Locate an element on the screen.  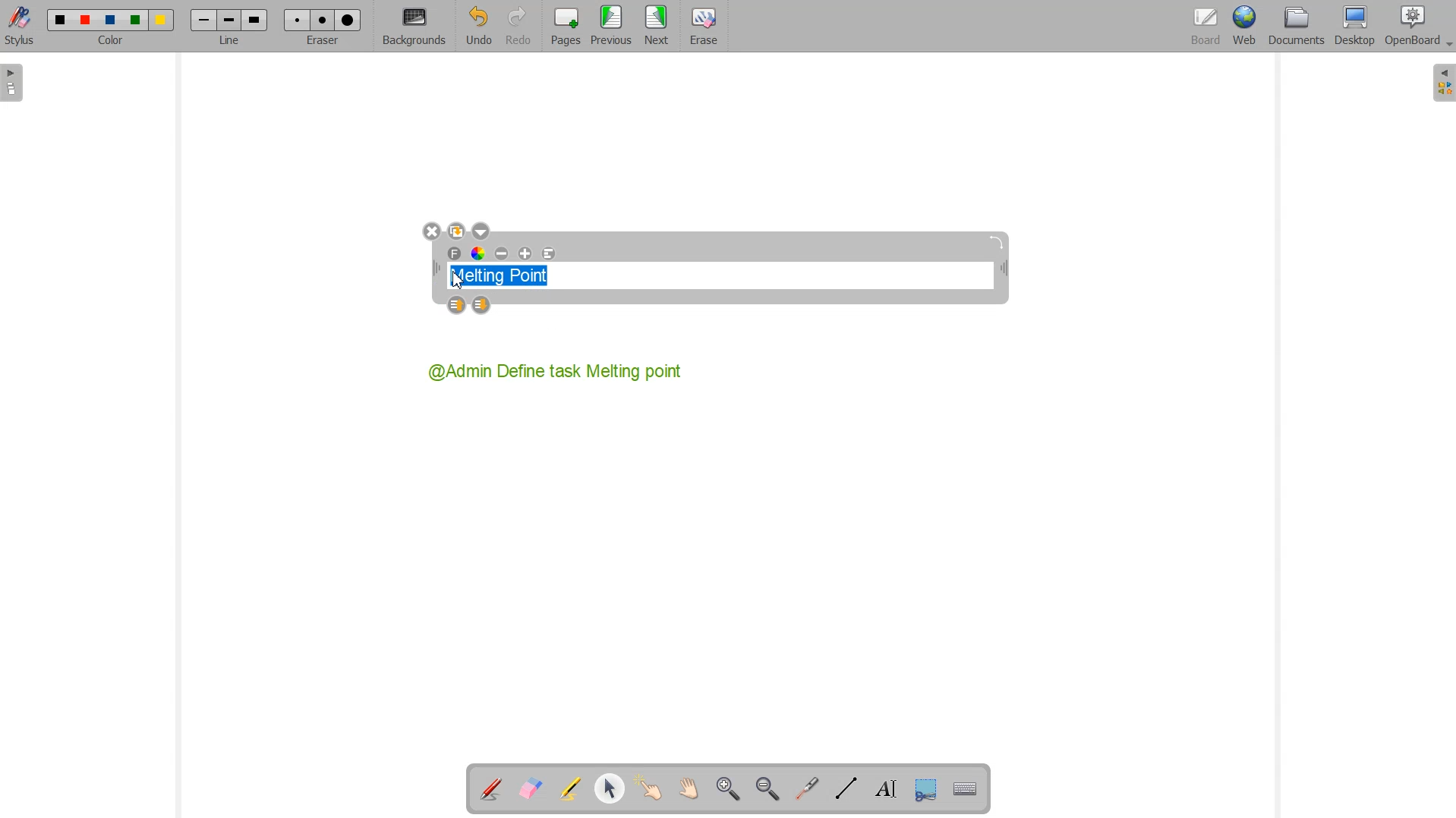
Redo is located at coordinates (518, 26).